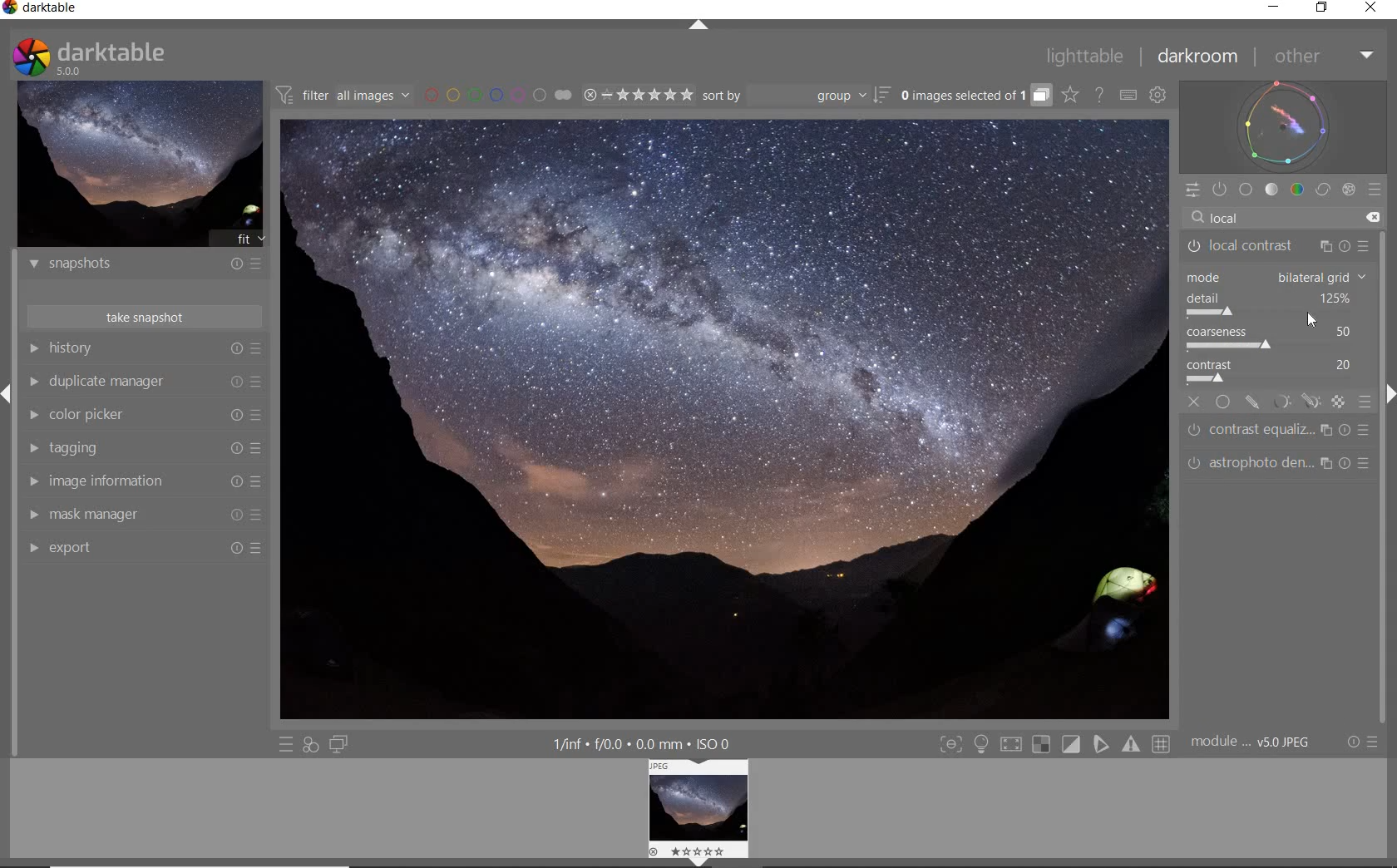 This screenshot has width=1397, height=868. Describe the element at coordinates (141, 165) in the screenshot. I see `IMAGE PREVIEW` at that location.